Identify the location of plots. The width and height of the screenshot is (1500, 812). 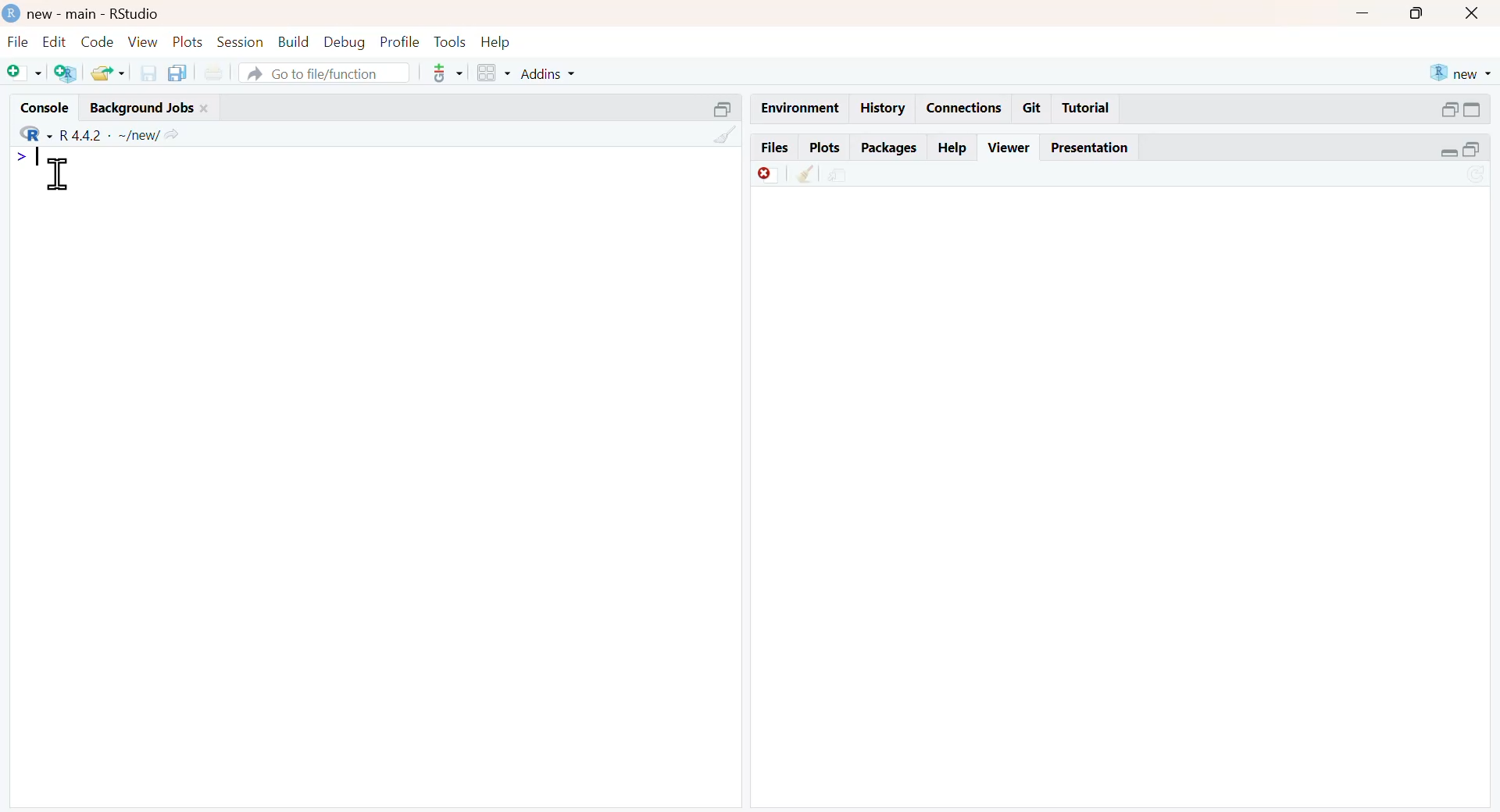
(187, 40).